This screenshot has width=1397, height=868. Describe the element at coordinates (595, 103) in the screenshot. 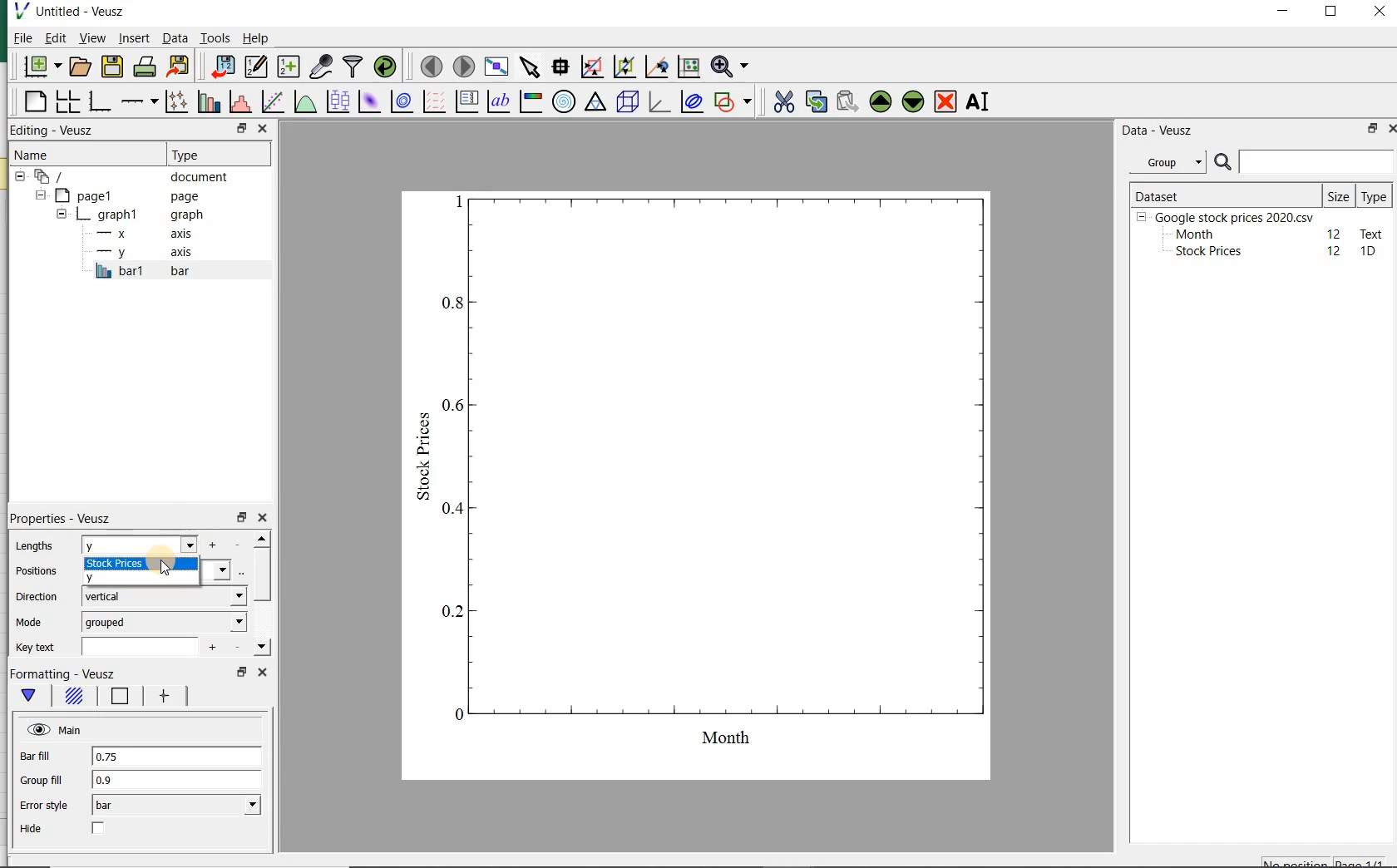

I see `ternary graph` at that location.